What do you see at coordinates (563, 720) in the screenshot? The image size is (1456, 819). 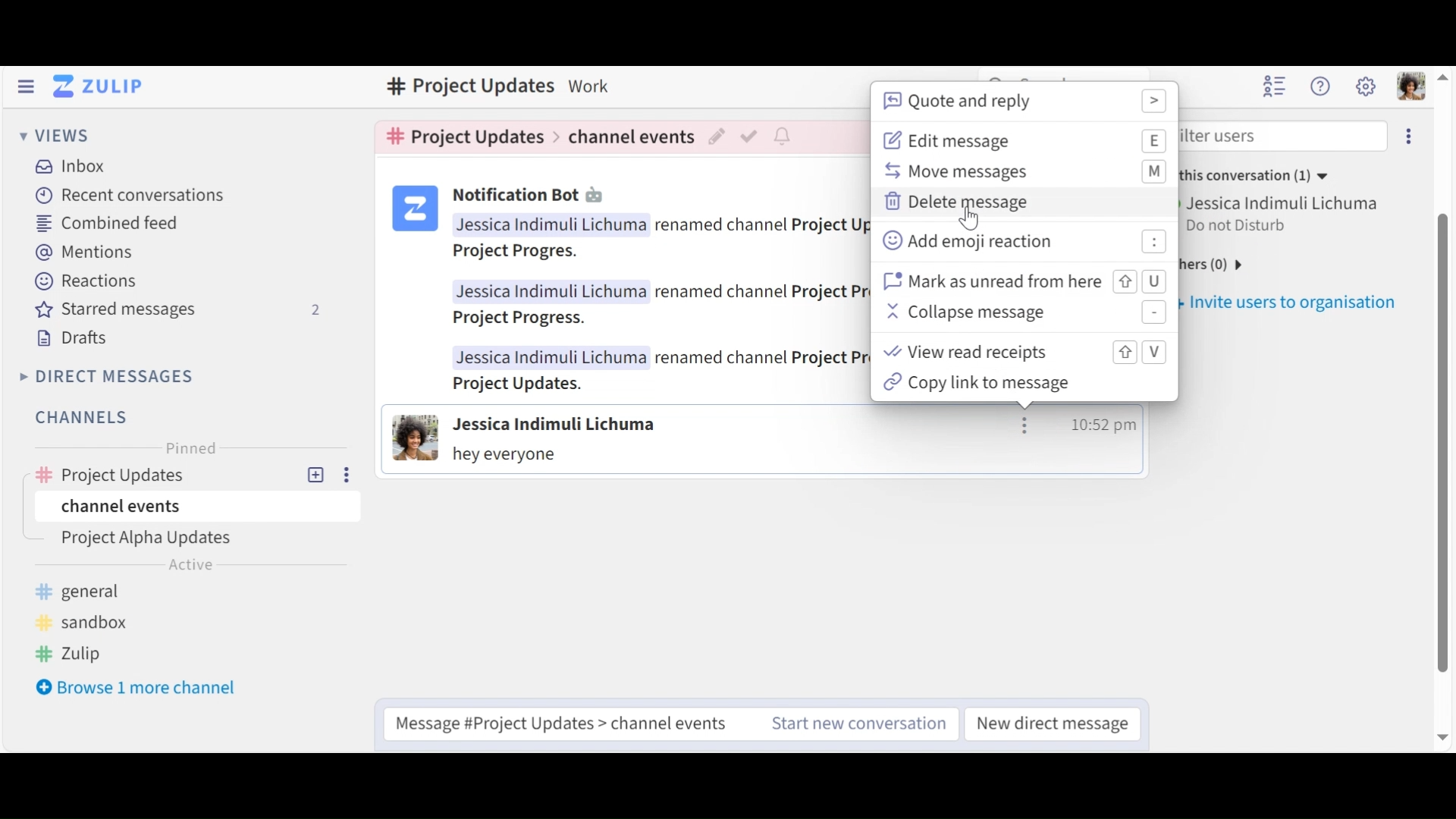 I see `Compose messages` at bounding box center [563, 720].